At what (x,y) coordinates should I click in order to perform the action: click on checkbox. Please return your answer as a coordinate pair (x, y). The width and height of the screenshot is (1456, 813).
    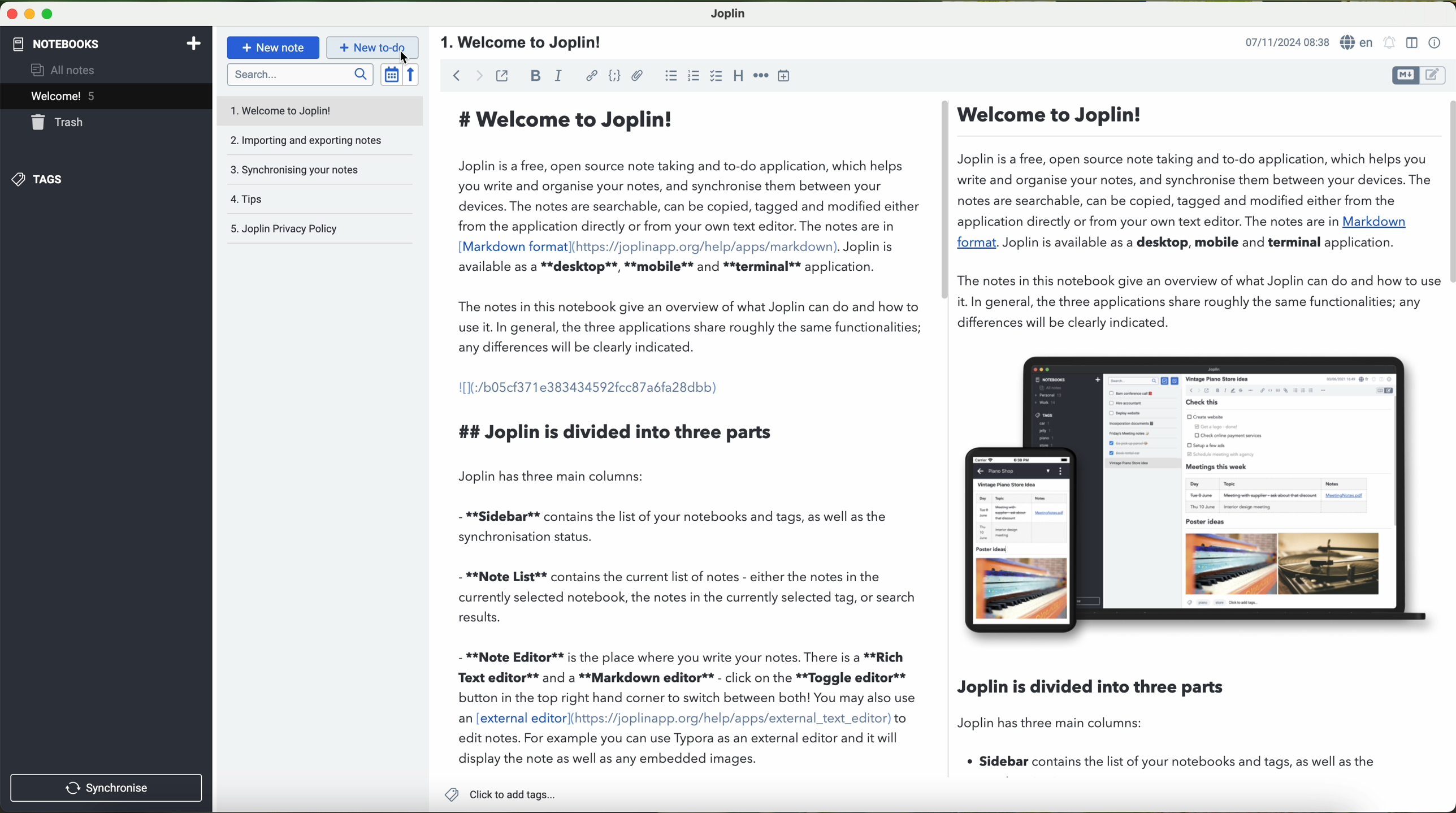
    Looking at the image, I should click on (717, 76).